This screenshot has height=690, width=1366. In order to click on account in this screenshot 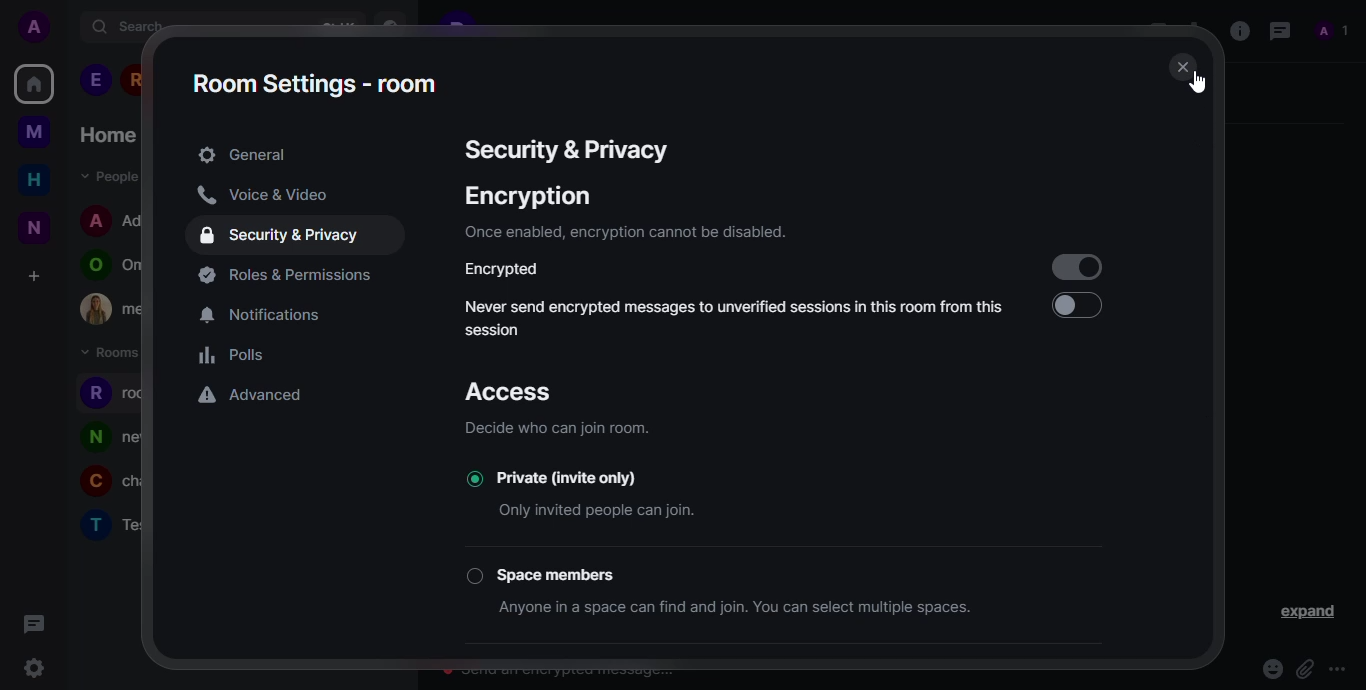, I will do `click(33, 27)`.